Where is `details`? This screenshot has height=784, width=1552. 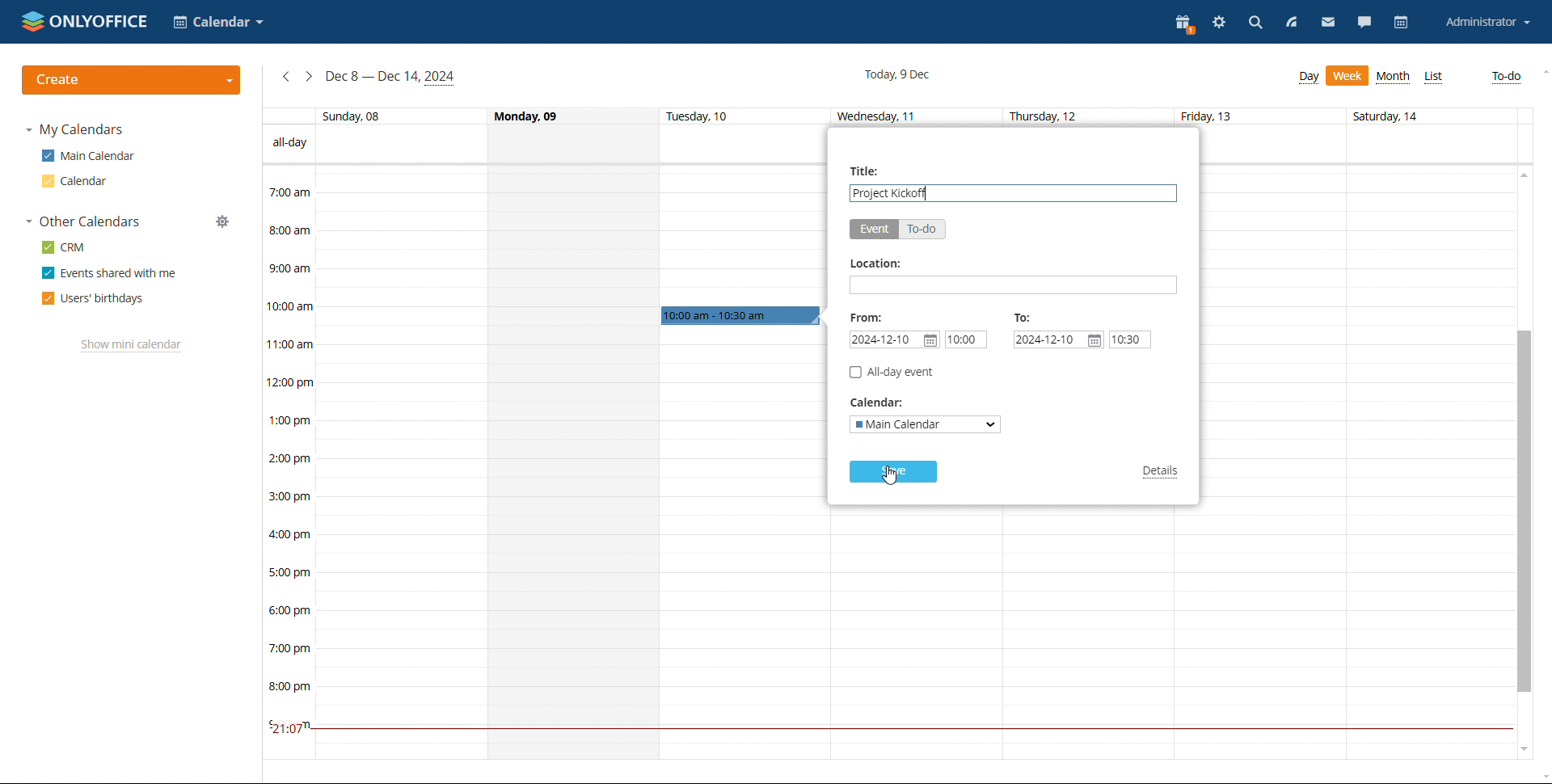 details is located at coordinates (1162, 473).